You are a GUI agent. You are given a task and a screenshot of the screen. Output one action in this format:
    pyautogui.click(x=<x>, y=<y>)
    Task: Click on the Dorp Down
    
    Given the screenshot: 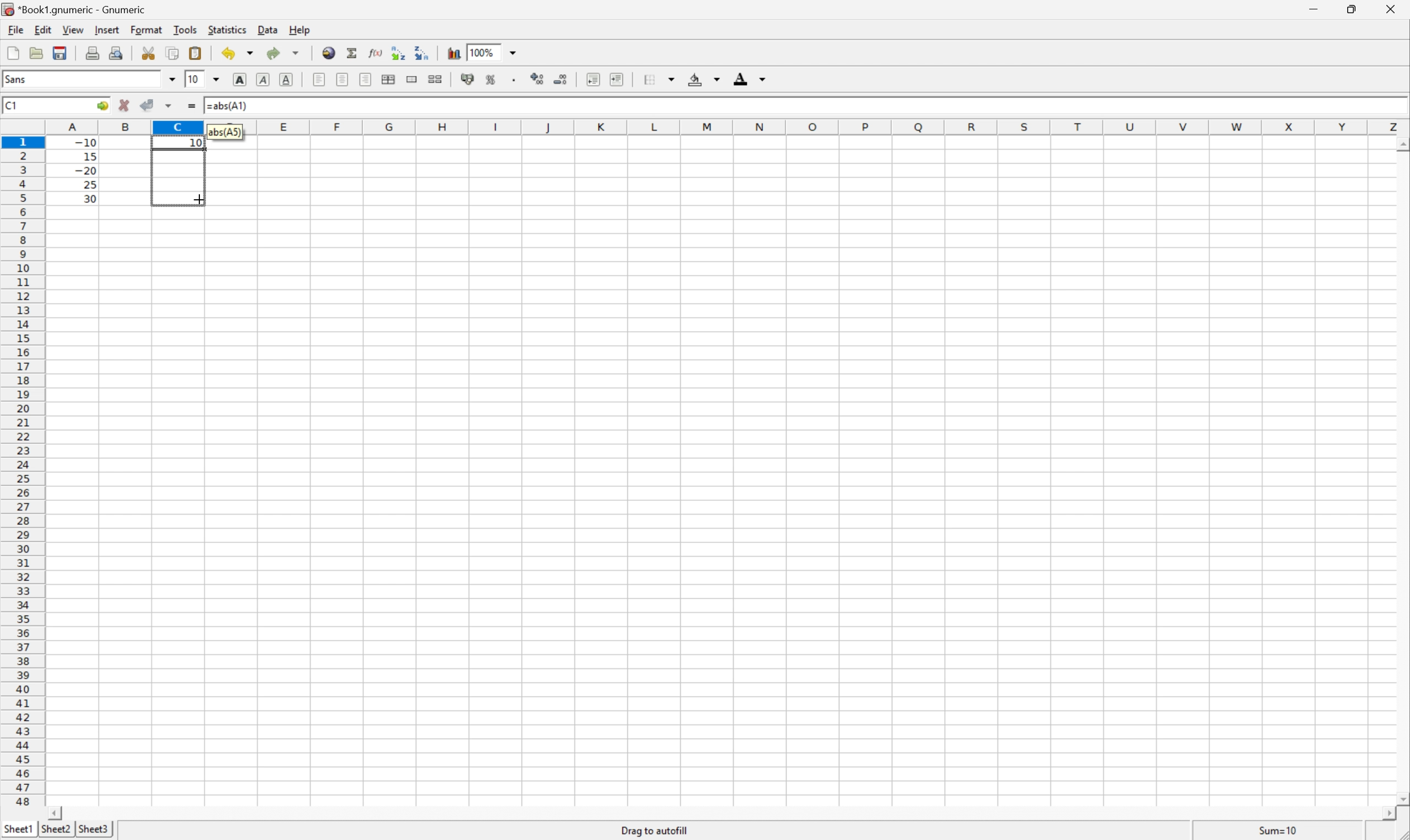 What is the action you would take?
    pyautogui.click(x=763, y=80)
    